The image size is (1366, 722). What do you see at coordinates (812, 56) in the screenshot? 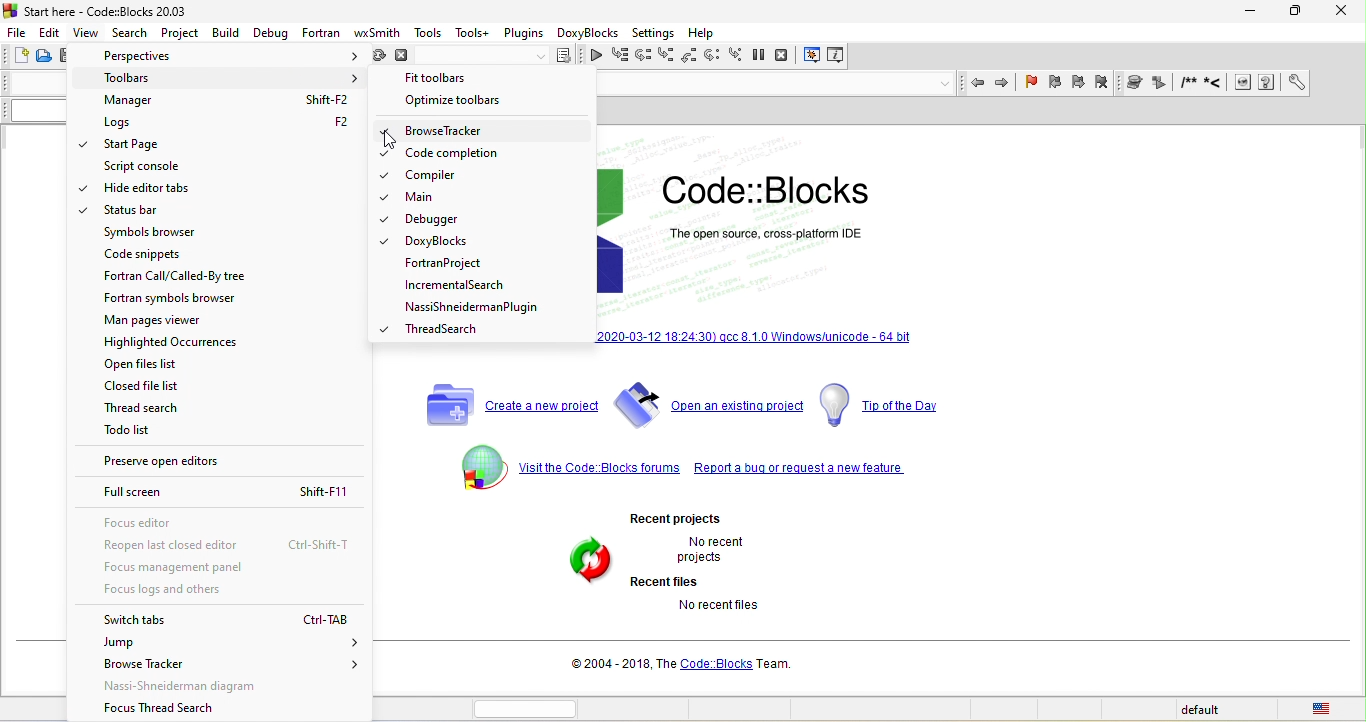
I see `debugging window` at bounding box center [812, 56].